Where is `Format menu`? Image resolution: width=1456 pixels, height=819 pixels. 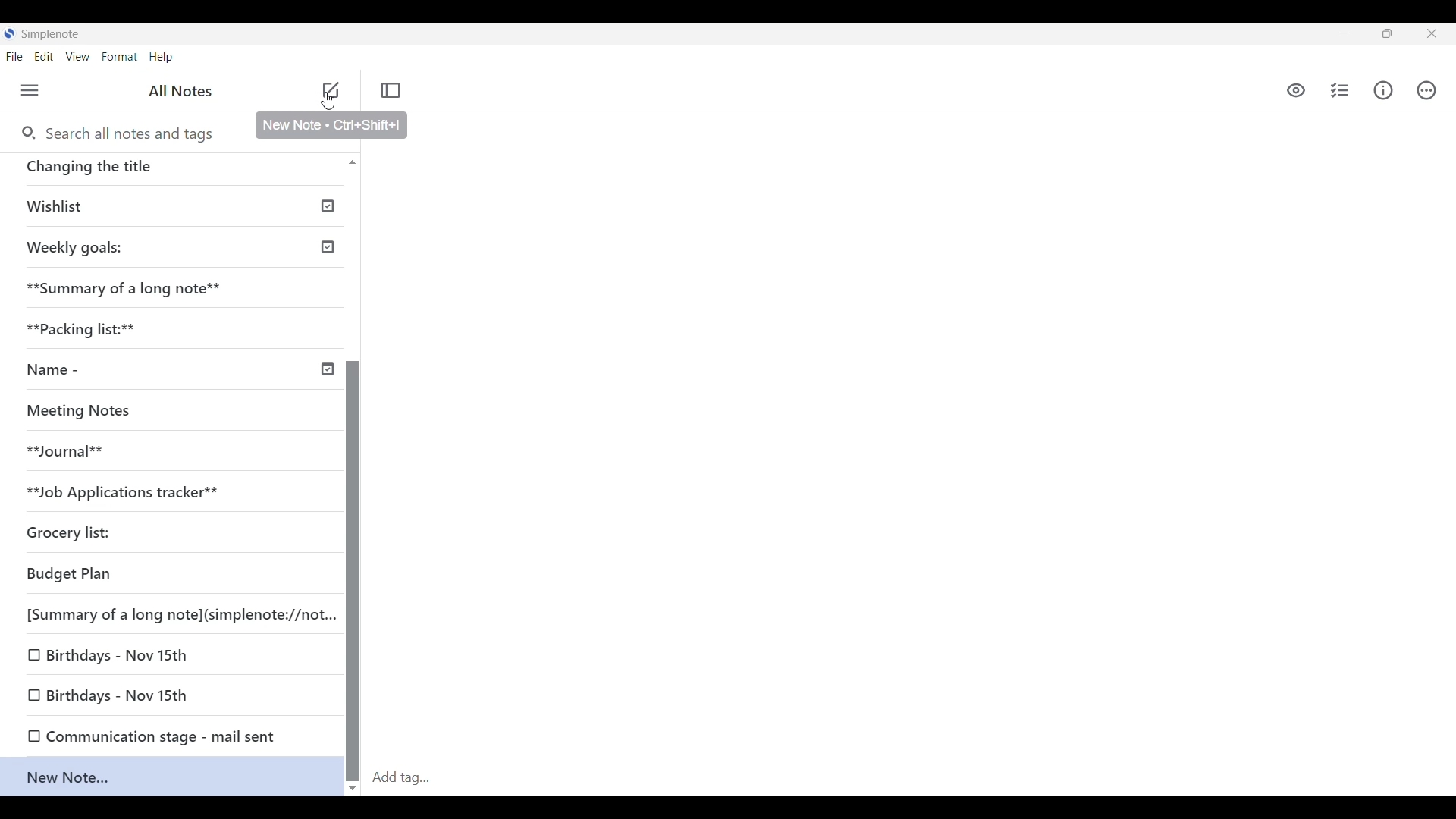
Format menu is located at coordinates (120, 57).